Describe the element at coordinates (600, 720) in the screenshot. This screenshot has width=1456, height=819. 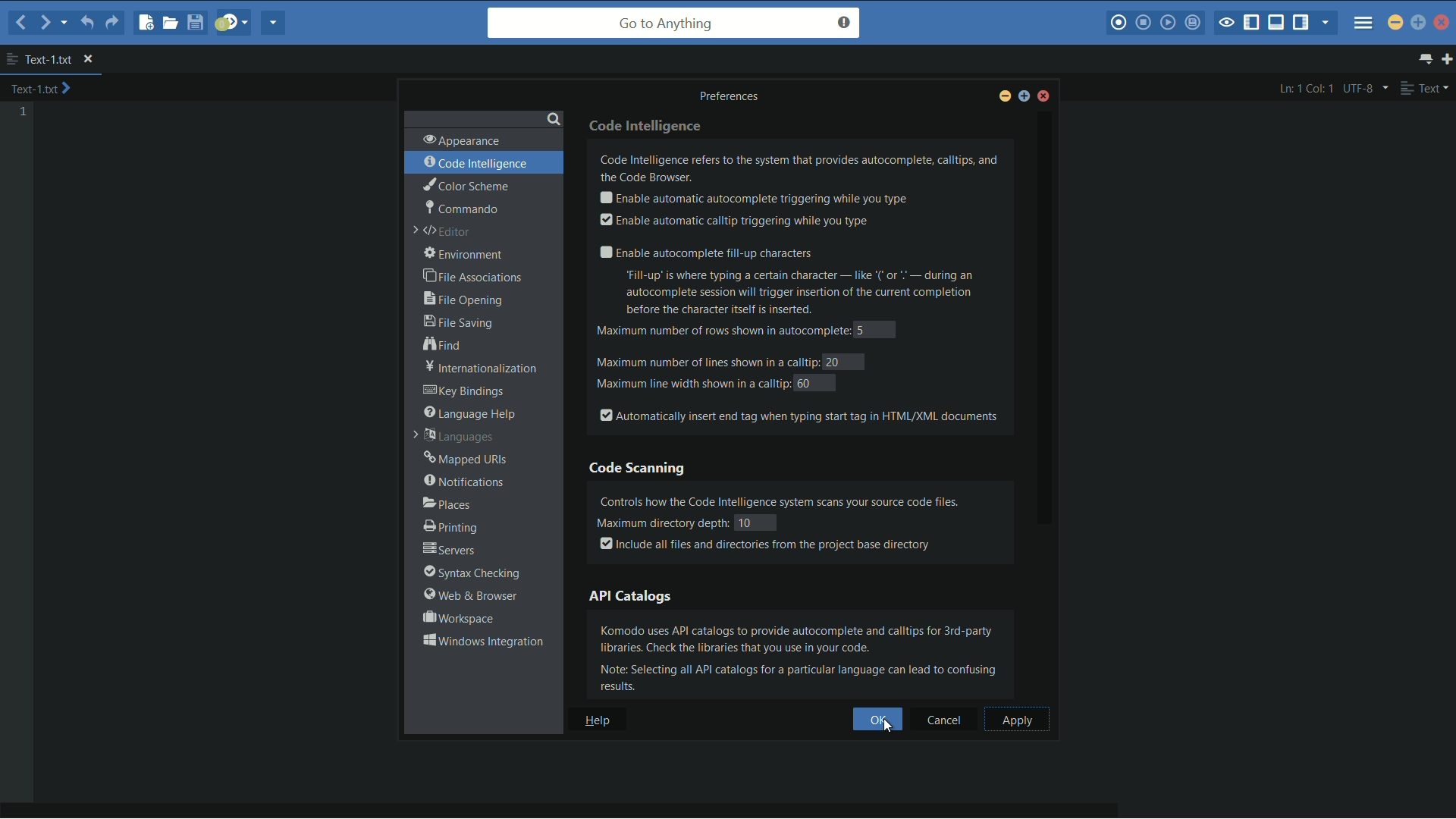
I see `help` at that location.